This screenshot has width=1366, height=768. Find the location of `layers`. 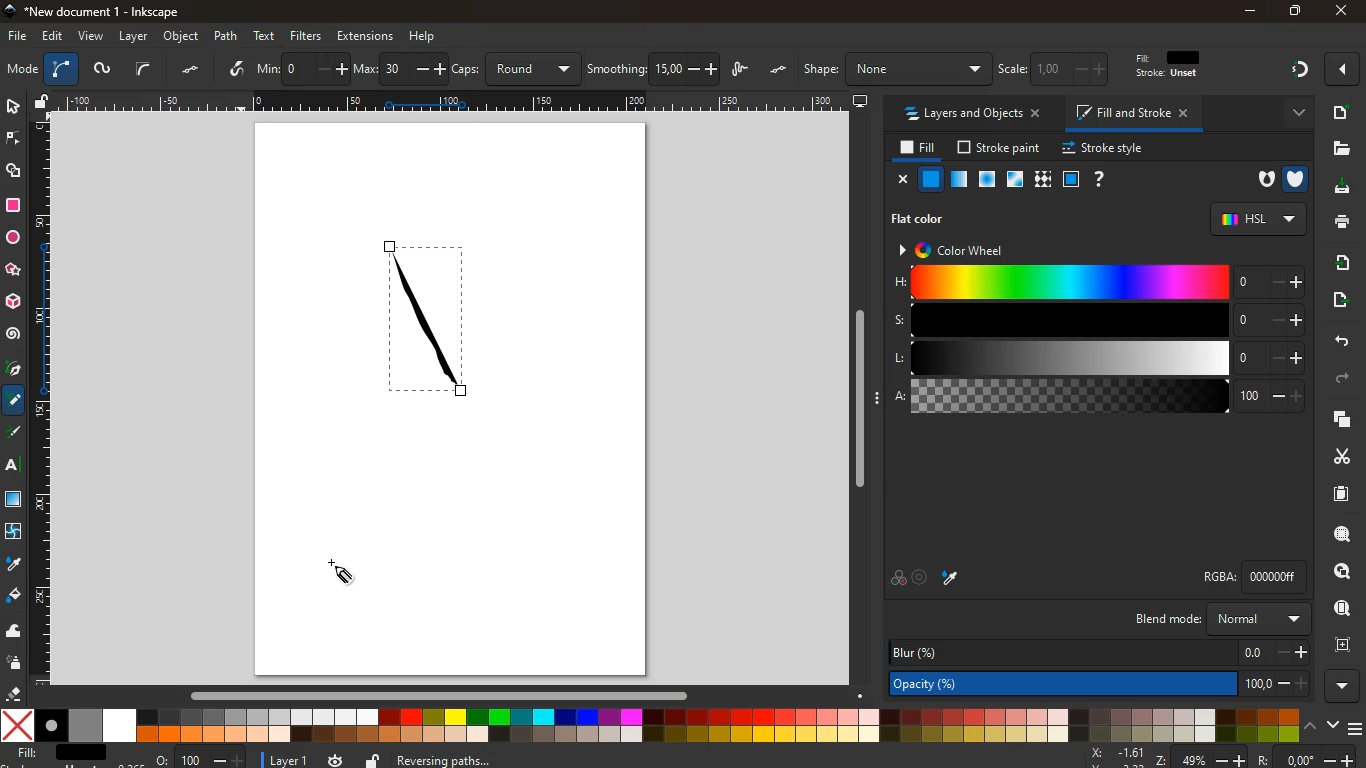

layers is located at coordinates (1335, 419).